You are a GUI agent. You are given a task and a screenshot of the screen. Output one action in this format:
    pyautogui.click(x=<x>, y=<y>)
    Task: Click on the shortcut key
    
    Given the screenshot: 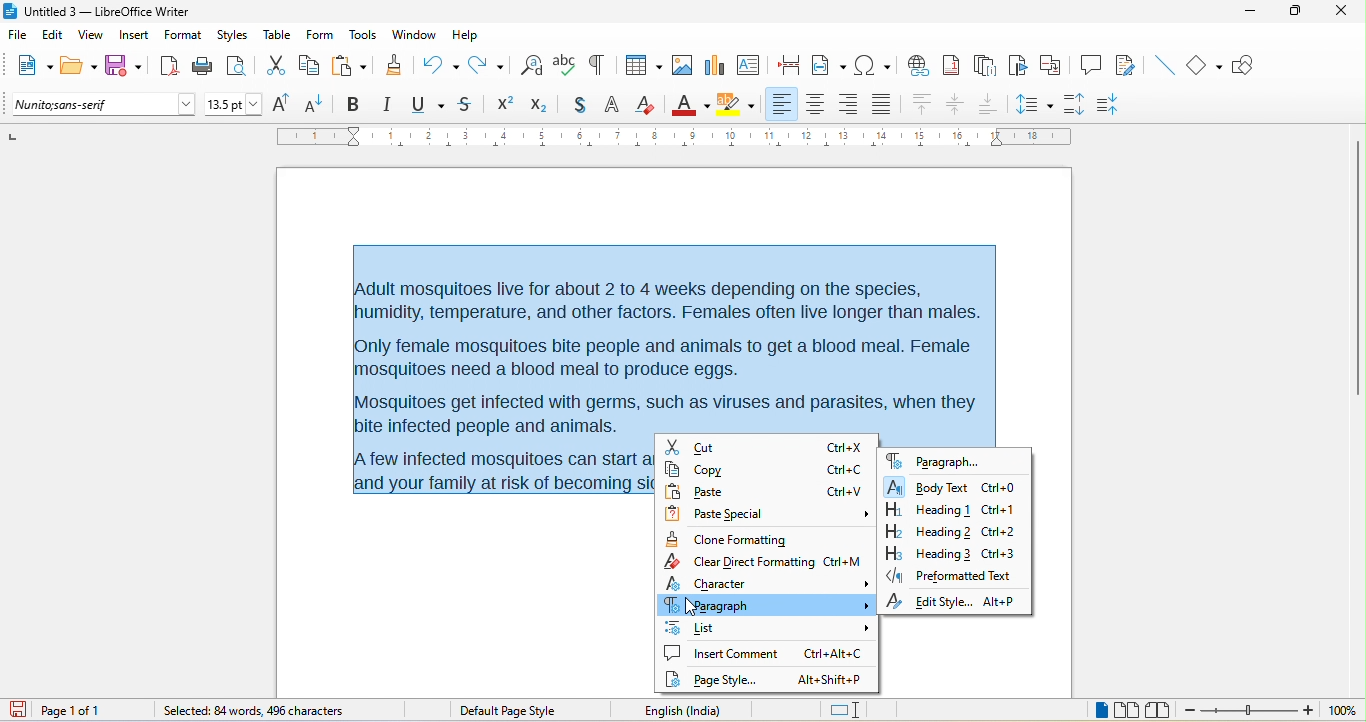 What is the action you would take?
    pyautogui.click(x=832, y=680)
    